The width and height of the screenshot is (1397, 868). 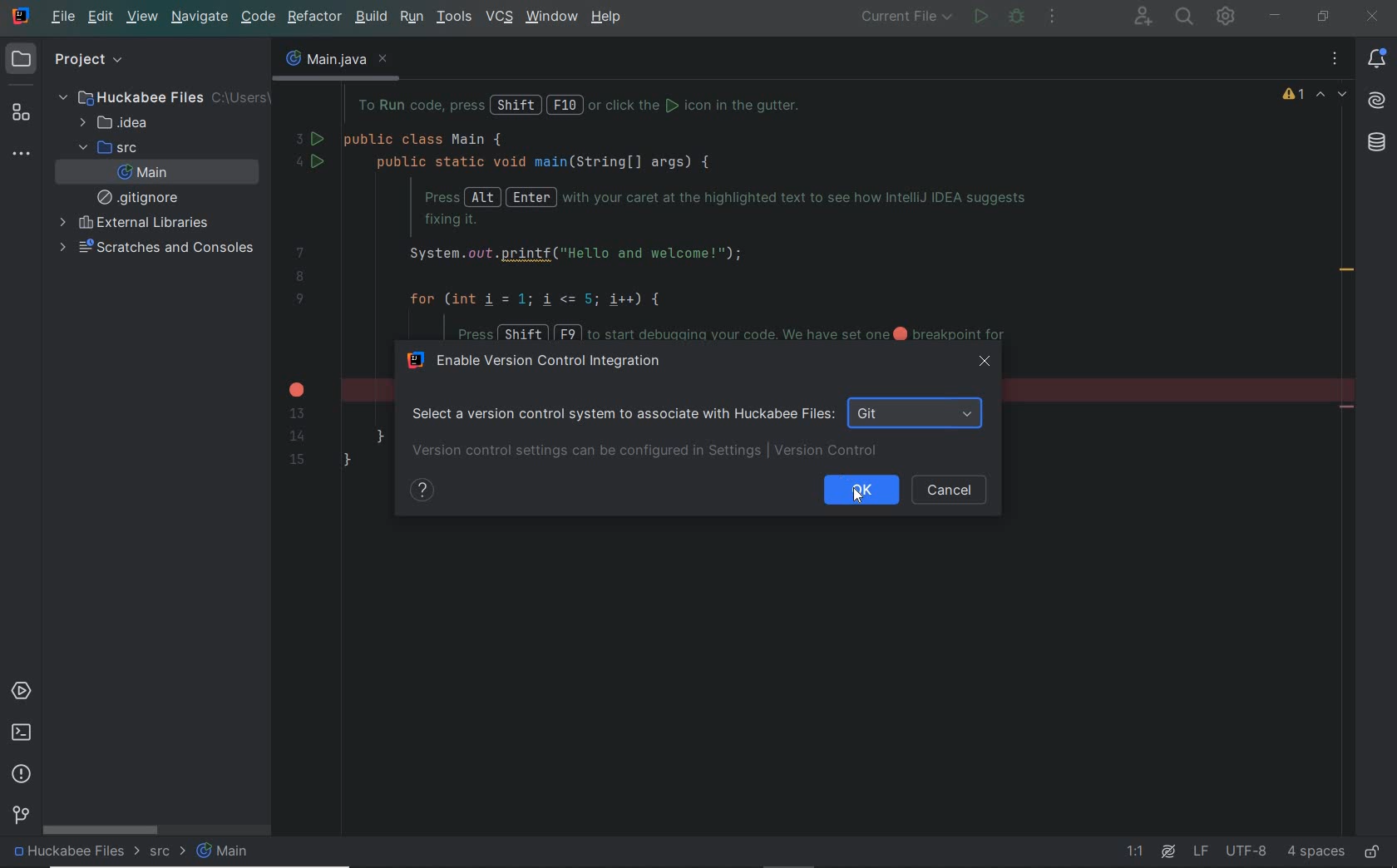 What do you see at coordinates (1376, 144) in the screenshot?
I see `database` at bounding box center [1376, 144].